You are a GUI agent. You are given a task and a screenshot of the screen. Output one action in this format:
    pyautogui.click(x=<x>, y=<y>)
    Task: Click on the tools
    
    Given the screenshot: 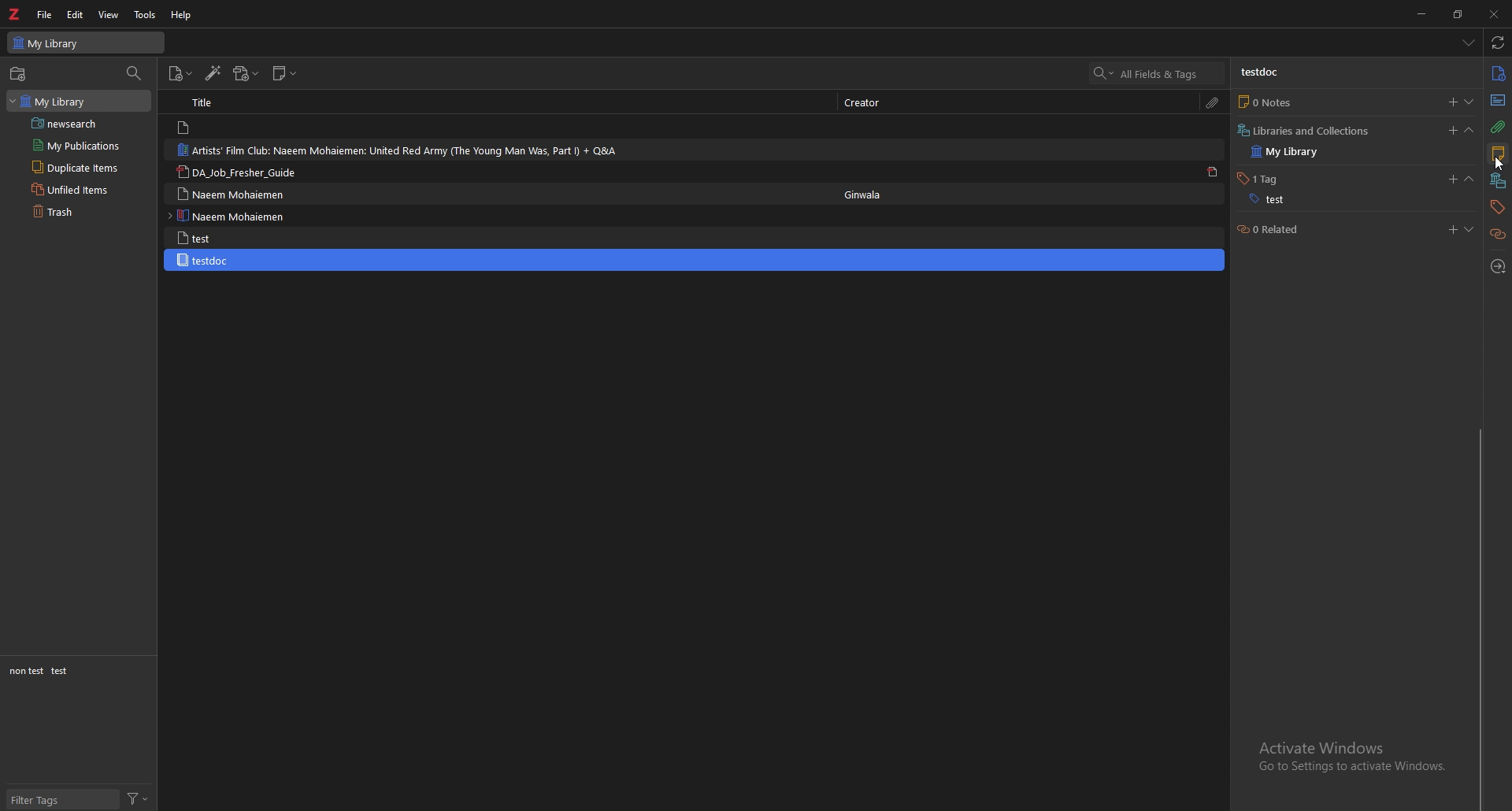 What is the action you would take?
    pyautogui.click(x=144, y=14)
    